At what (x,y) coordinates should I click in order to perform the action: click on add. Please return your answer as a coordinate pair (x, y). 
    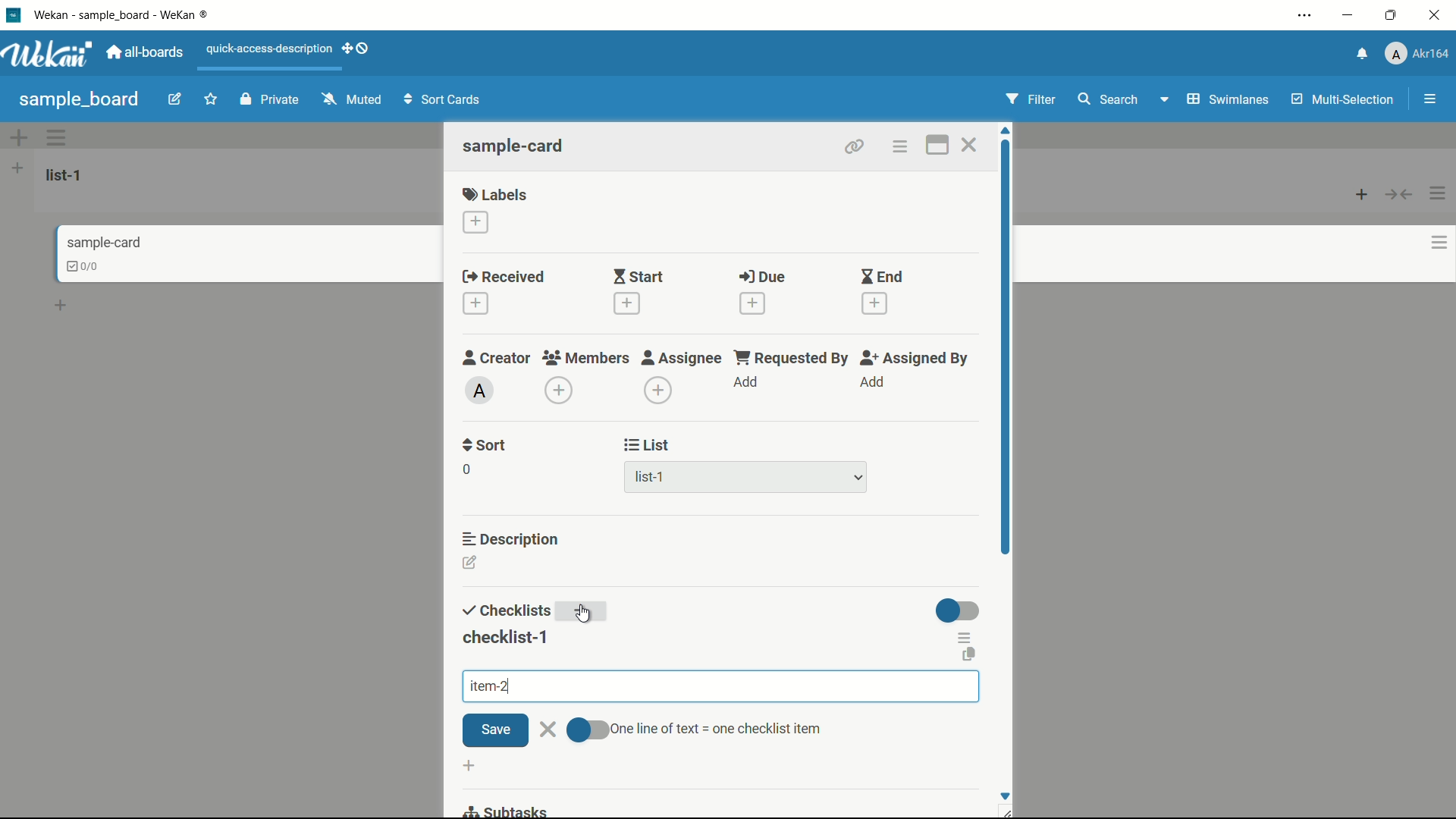
    Looking at the image, I should click on (747, 383).